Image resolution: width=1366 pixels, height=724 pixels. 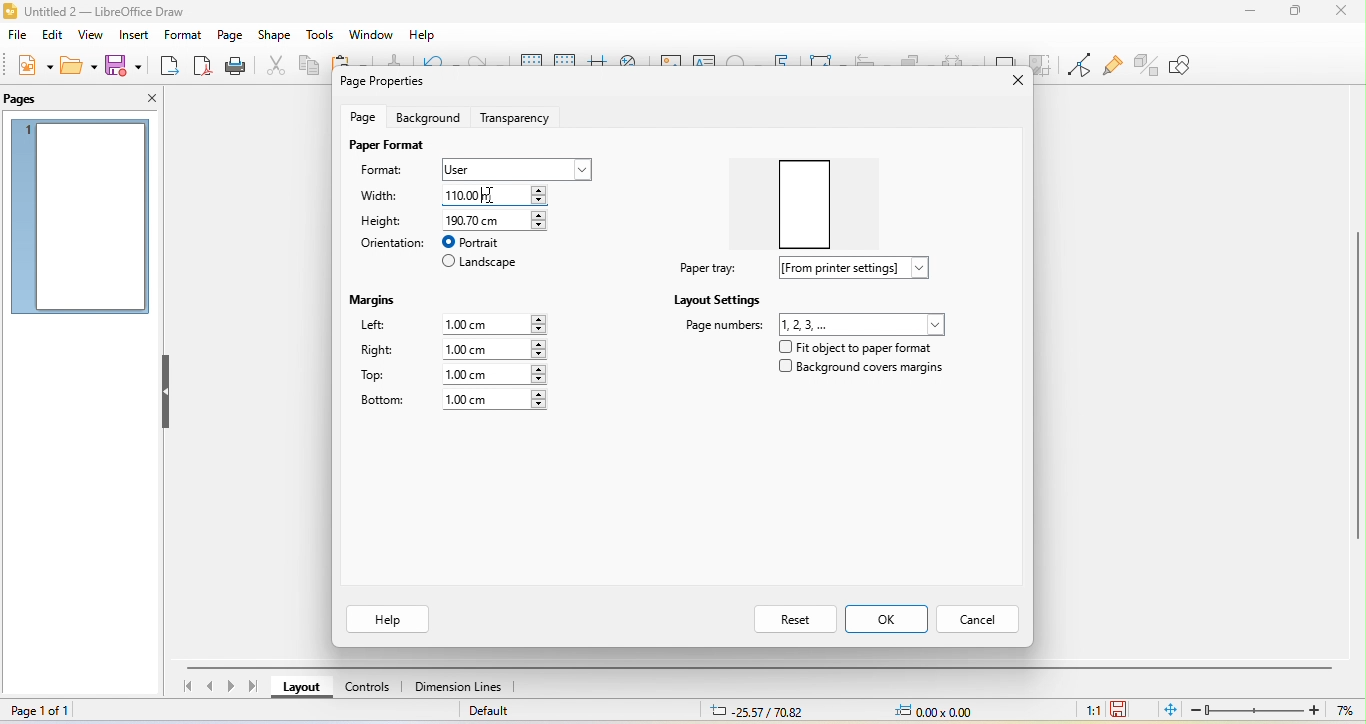 What do you see at coordinates (1195, 65) in the screenshot?
I see `show draw function` at bounding box center [1195, 65].